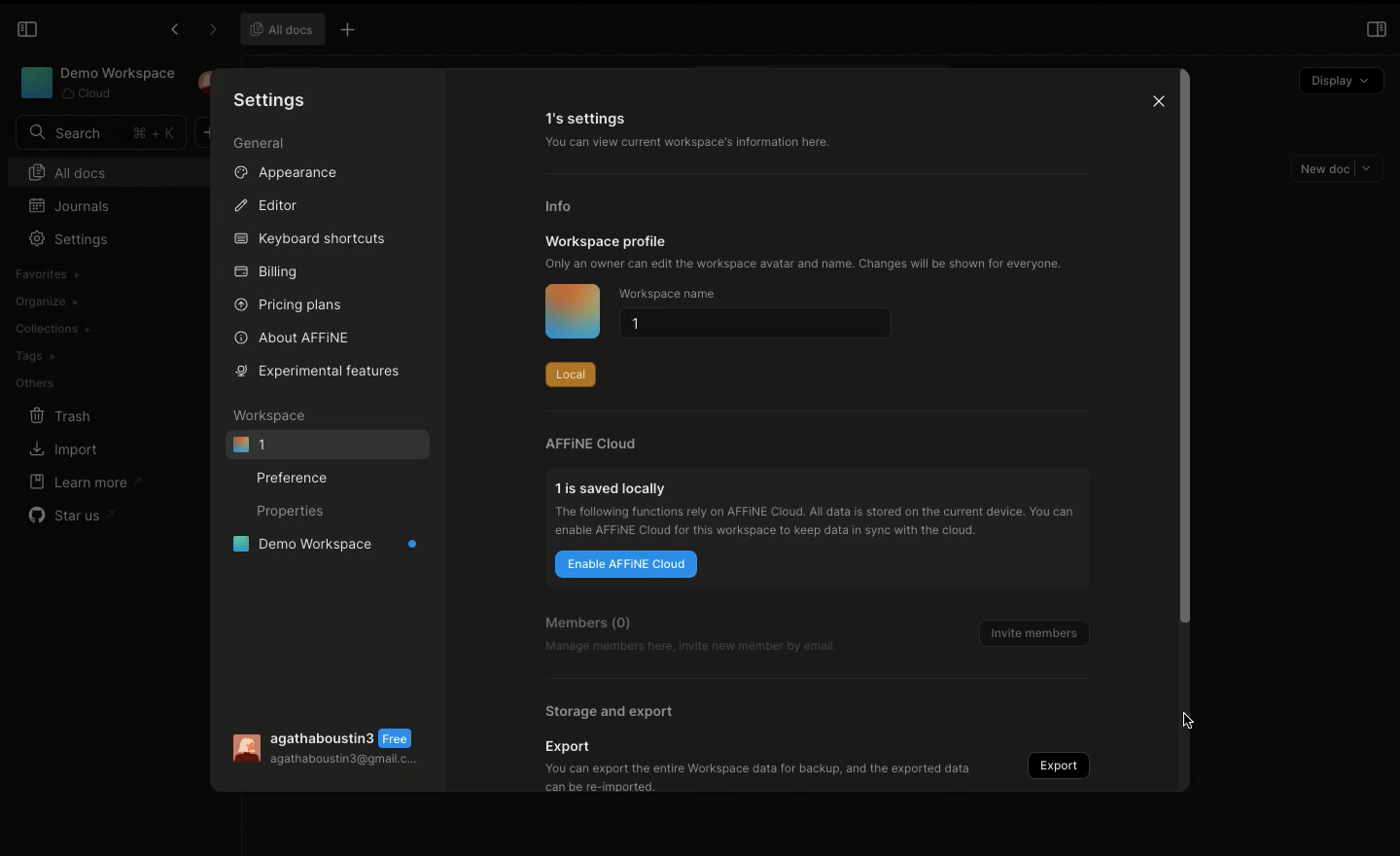 The height and width of the screenshot is (856, 1400). What do you see at coordinates (172, 32) in the screenshot?
I see `Previous` at bounding box center [172, 32].